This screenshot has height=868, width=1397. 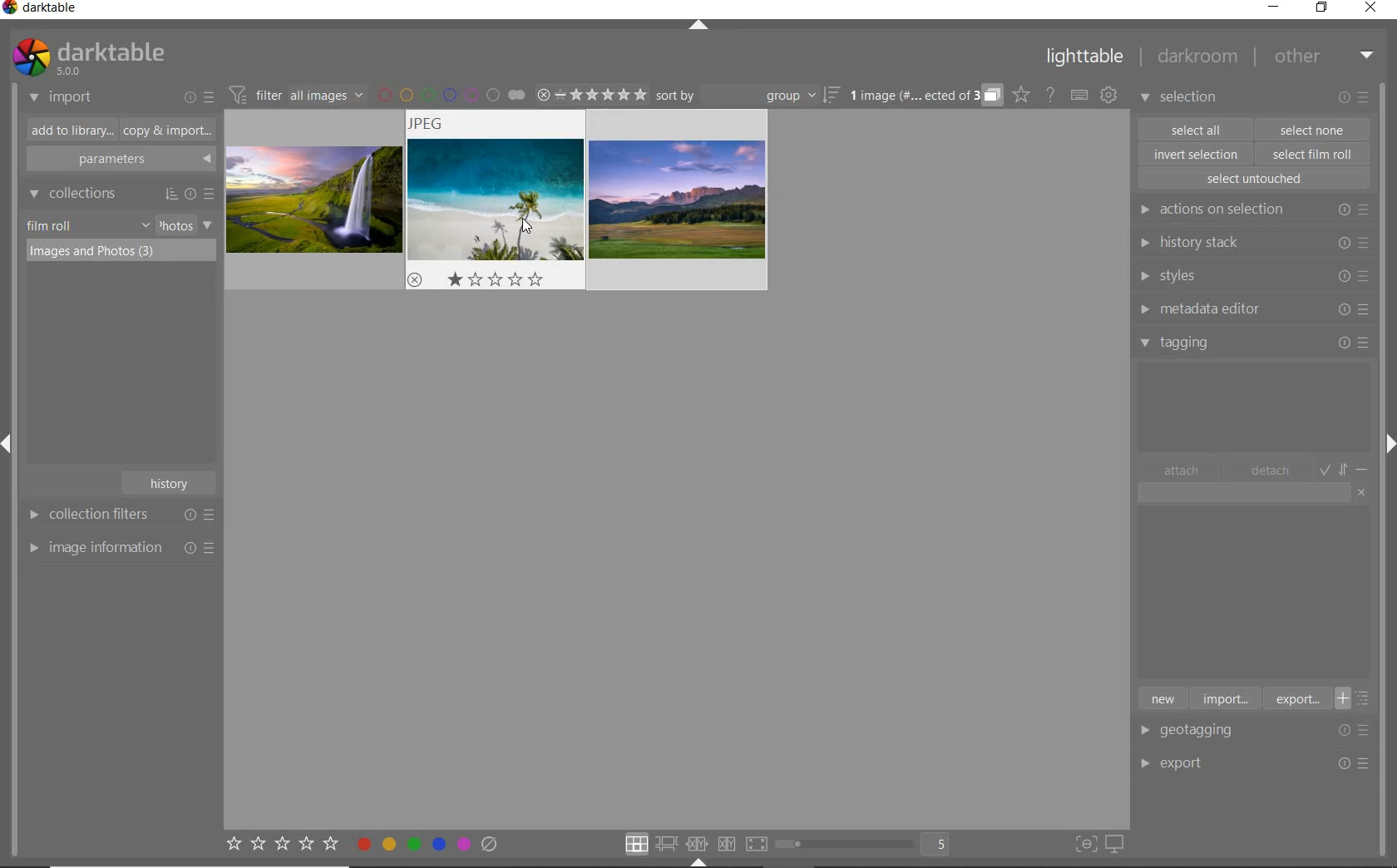 What do you see at coordinates (1362, 491) in the screenshot?
I see `clear entry` at bounding box center [1362, 491].